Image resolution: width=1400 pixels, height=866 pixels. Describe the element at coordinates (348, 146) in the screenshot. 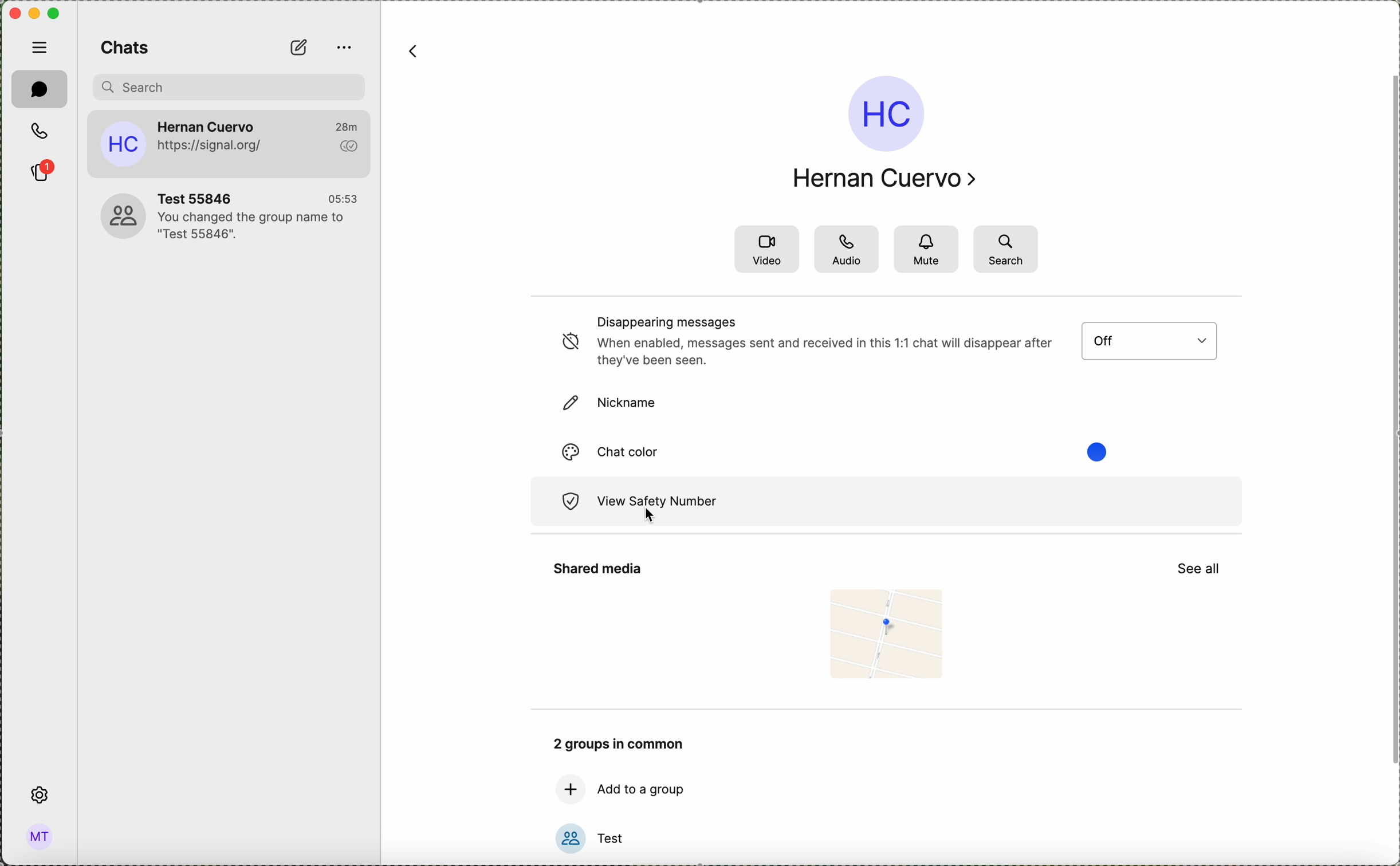

I see `seen` at that location.